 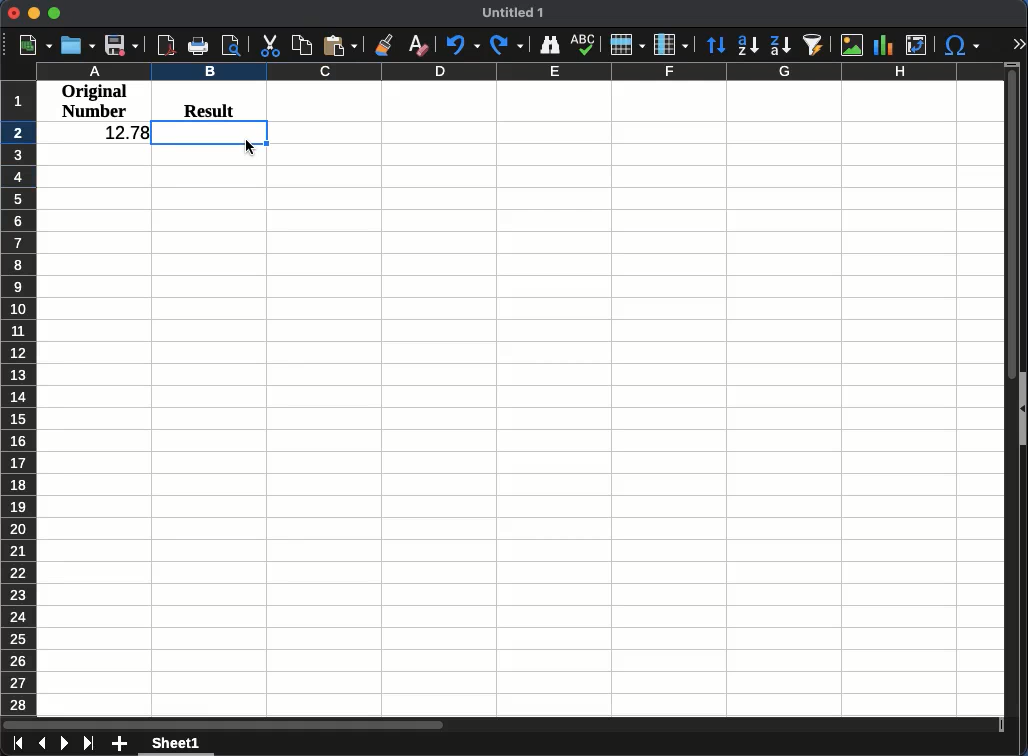 What do you see at coordinates (507, 46) in the screenshot?
I see `Redo` at bounding box center [507, 46].